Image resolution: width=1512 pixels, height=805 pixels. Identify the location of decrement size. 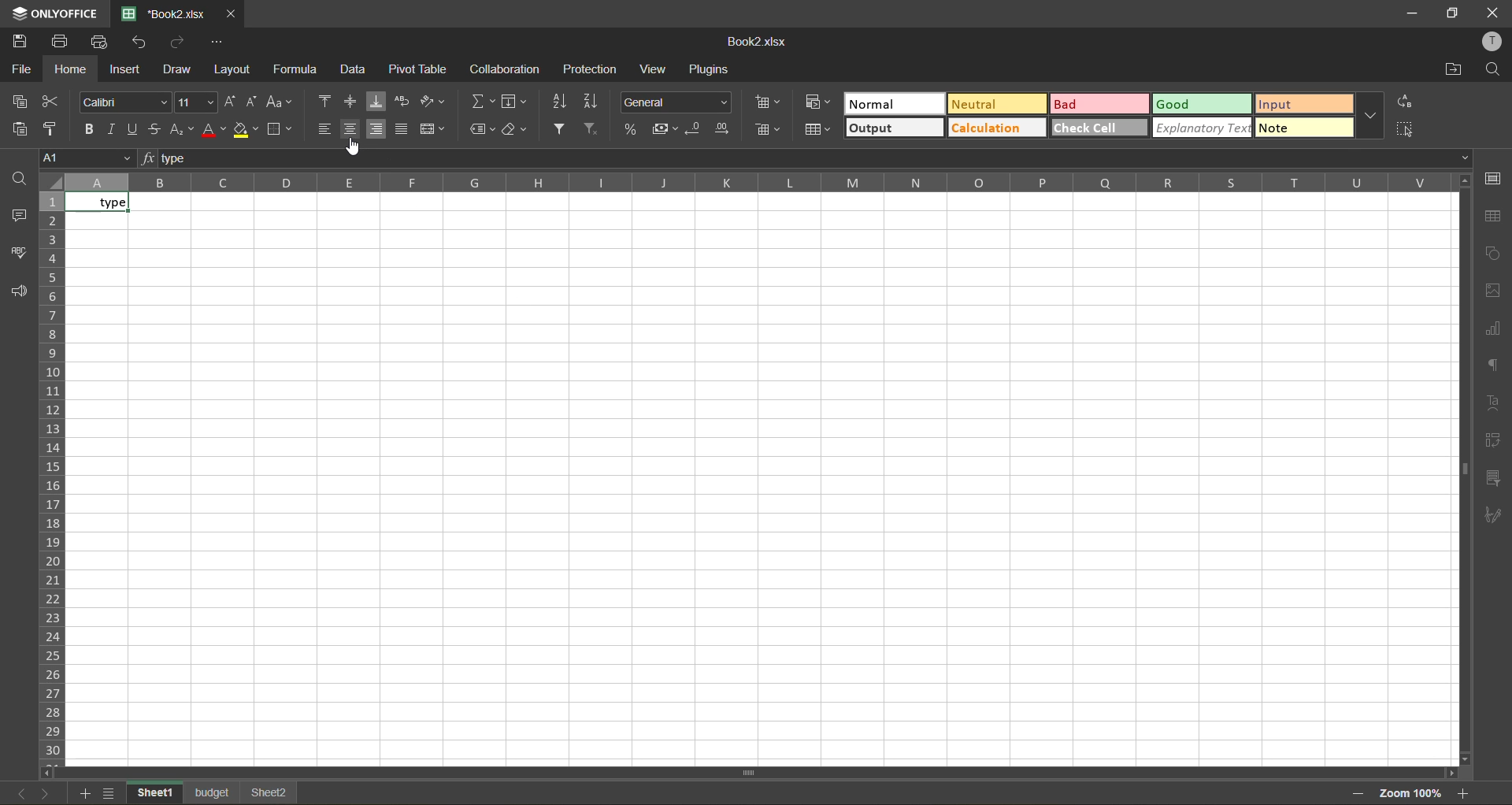
(254, 102).